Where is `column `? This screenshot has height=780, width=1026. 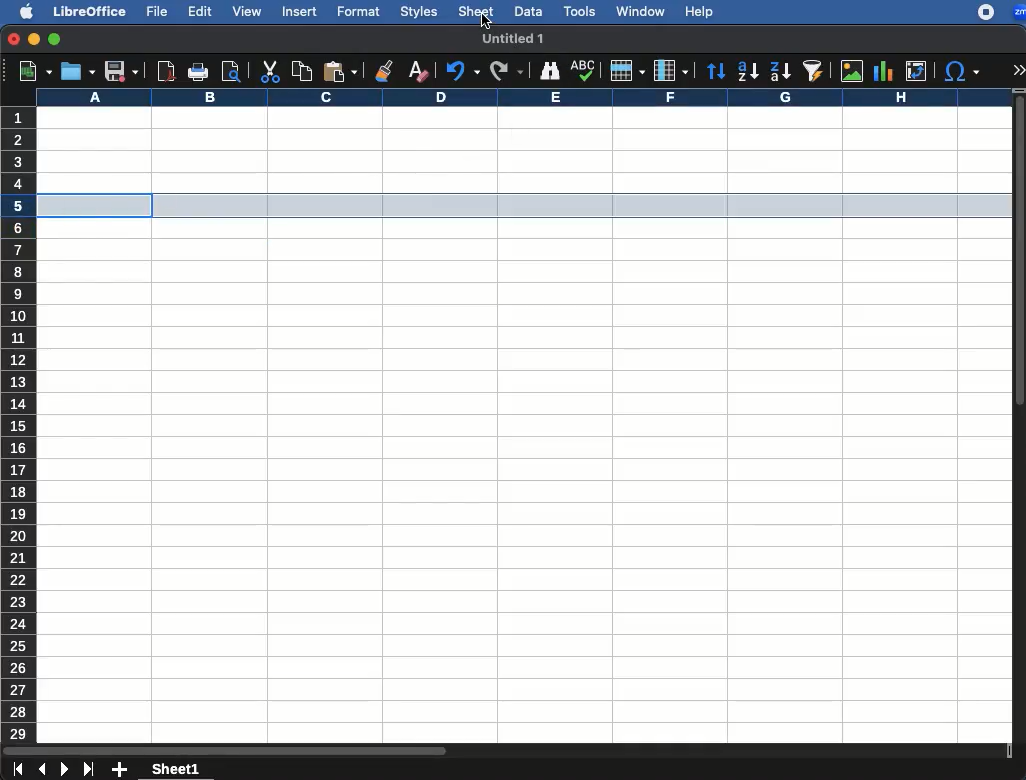
column  is located at coordinates (669, 70).